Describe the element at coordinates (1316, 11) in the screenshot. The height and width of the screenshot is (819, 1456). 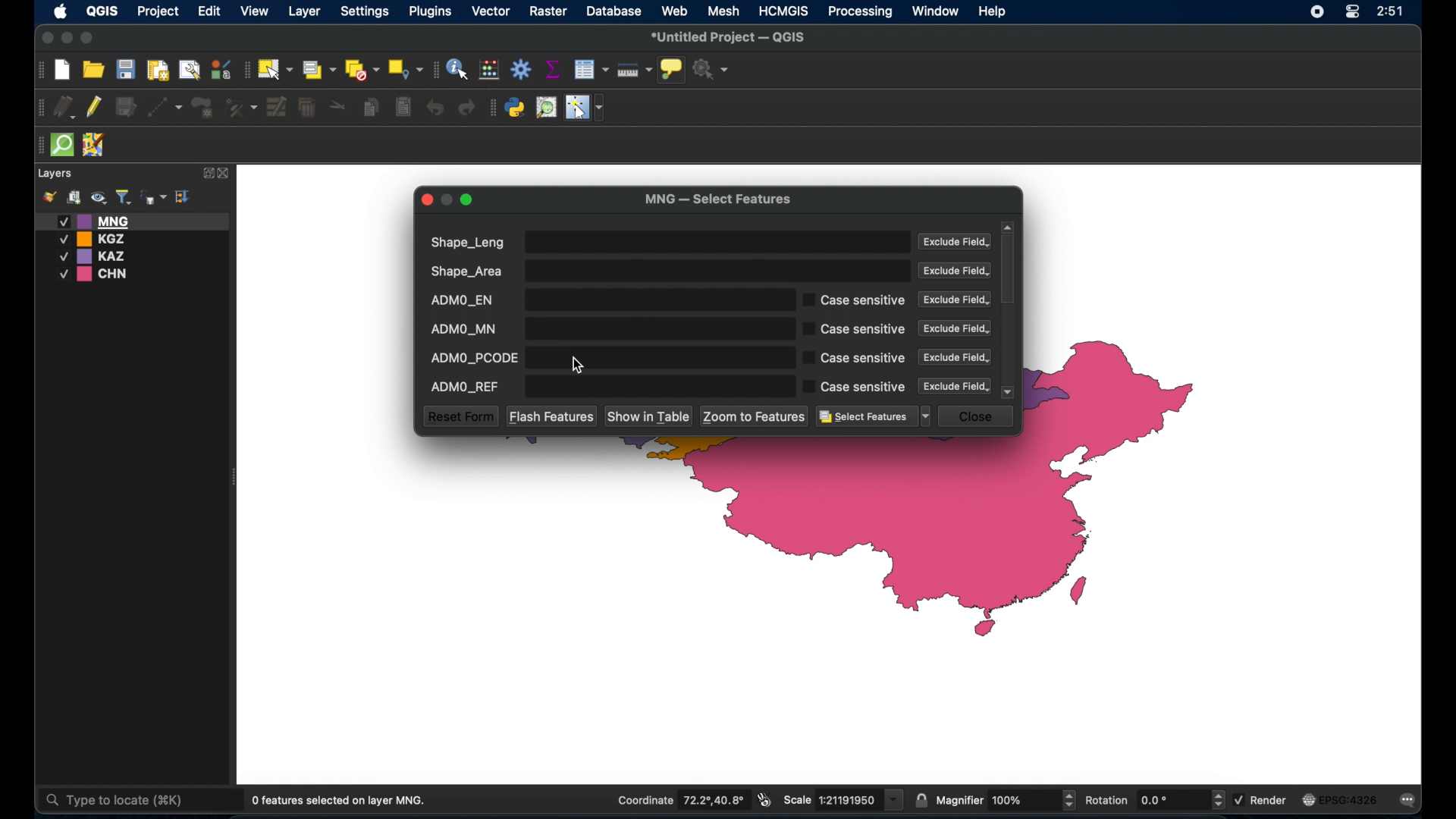
I see `screen recorder` at that location.